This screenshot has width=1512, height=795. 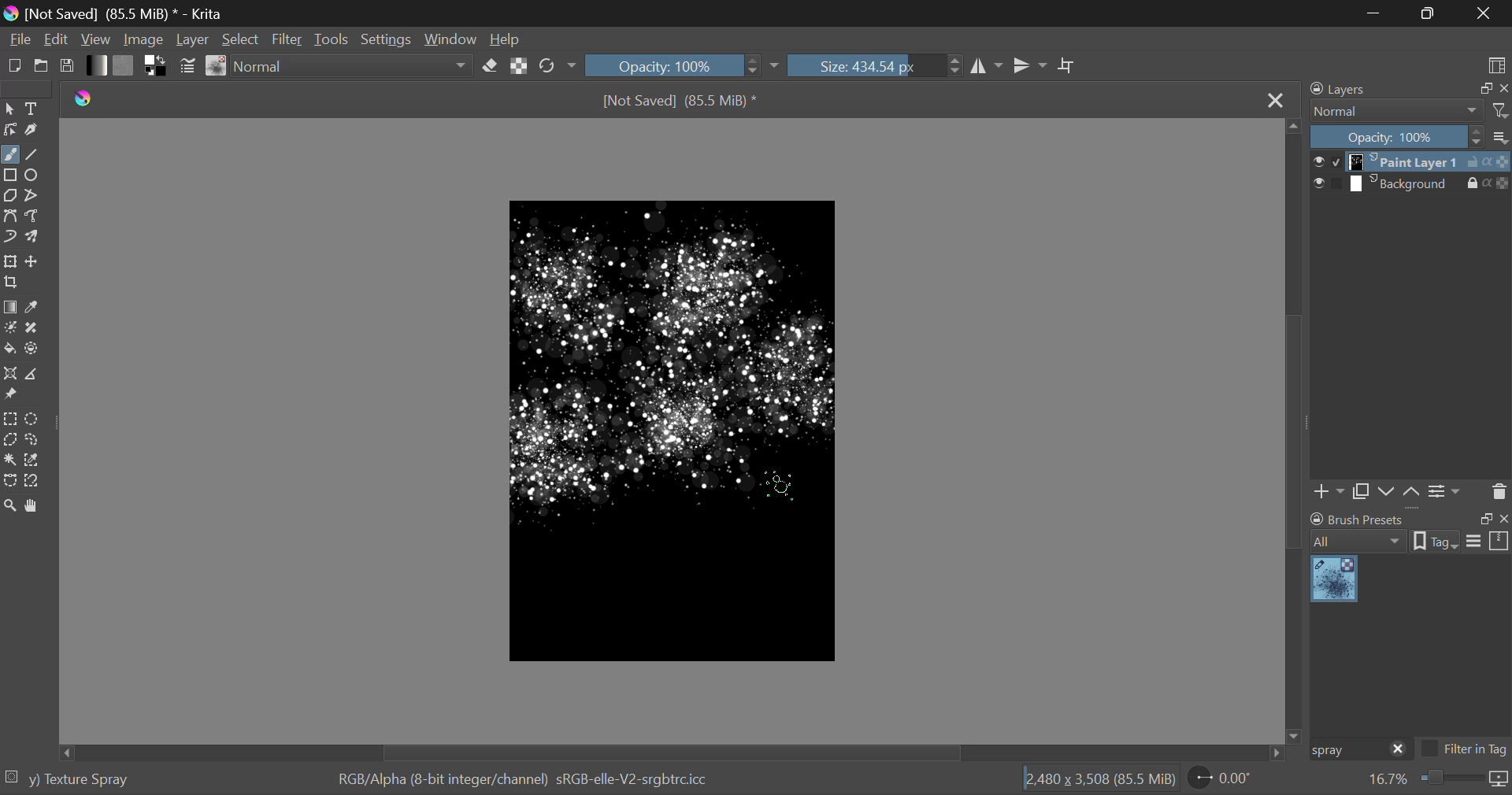 What do you see at coordinates (32, 331) in the screenshot?
I see `Smart Patch Tool` at bounding box center [32, 331].